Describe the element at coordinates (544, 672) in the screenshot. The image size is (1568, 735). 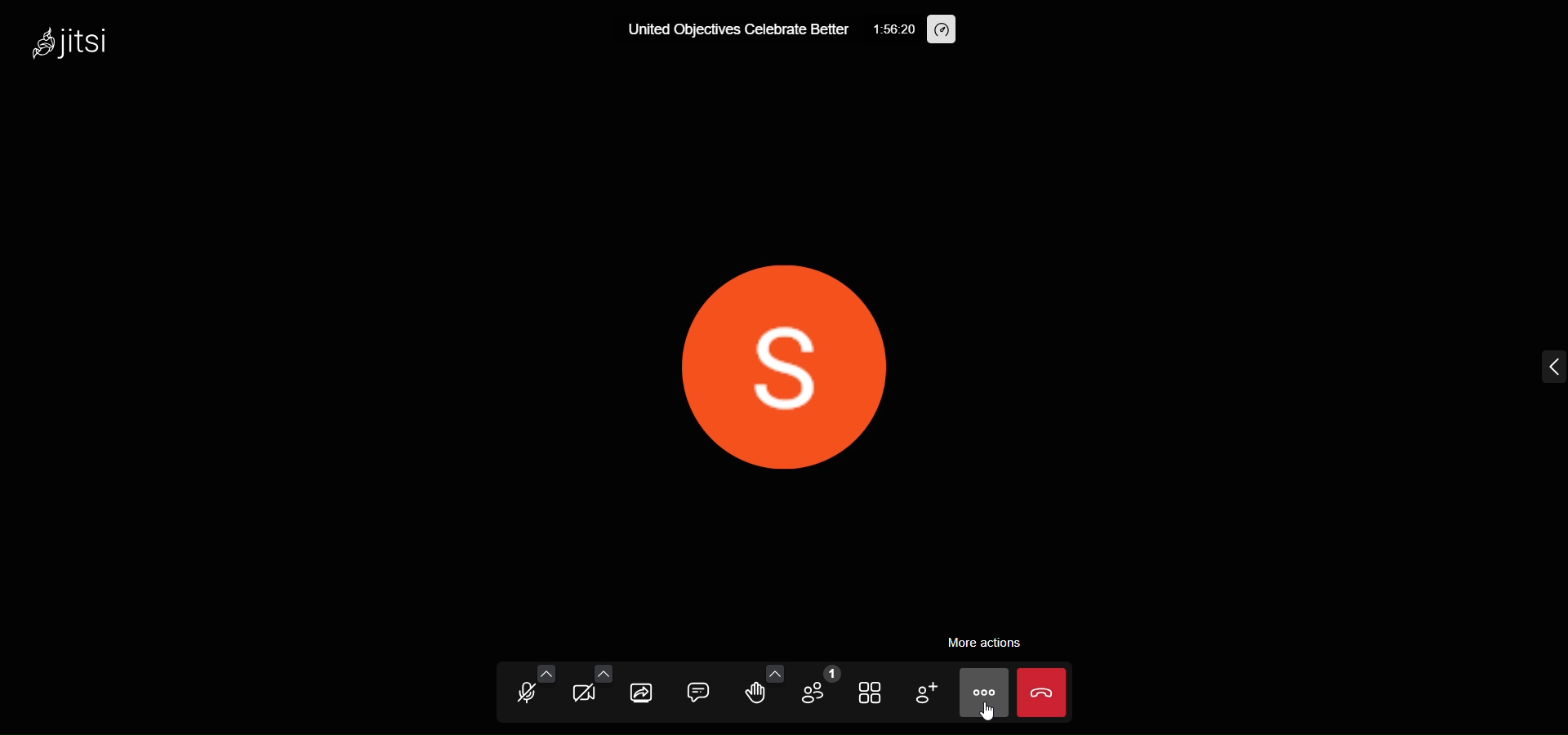
I see `more audio option` at that location.